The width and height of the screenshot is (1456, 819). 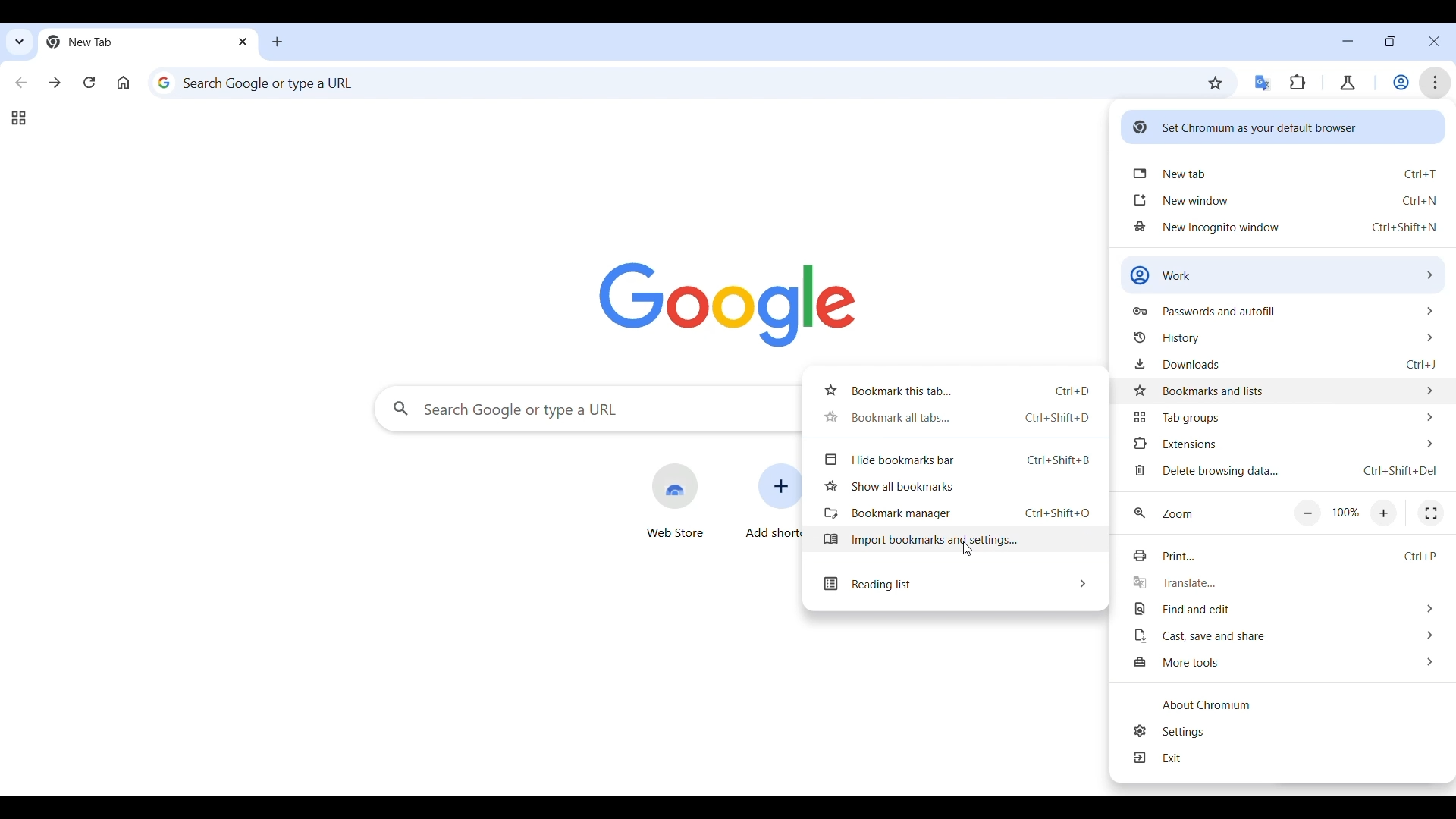 What do you see at coordinates (1282, 583) in the screenshot?
I see `Translate` at bounding box center [1282, 583].